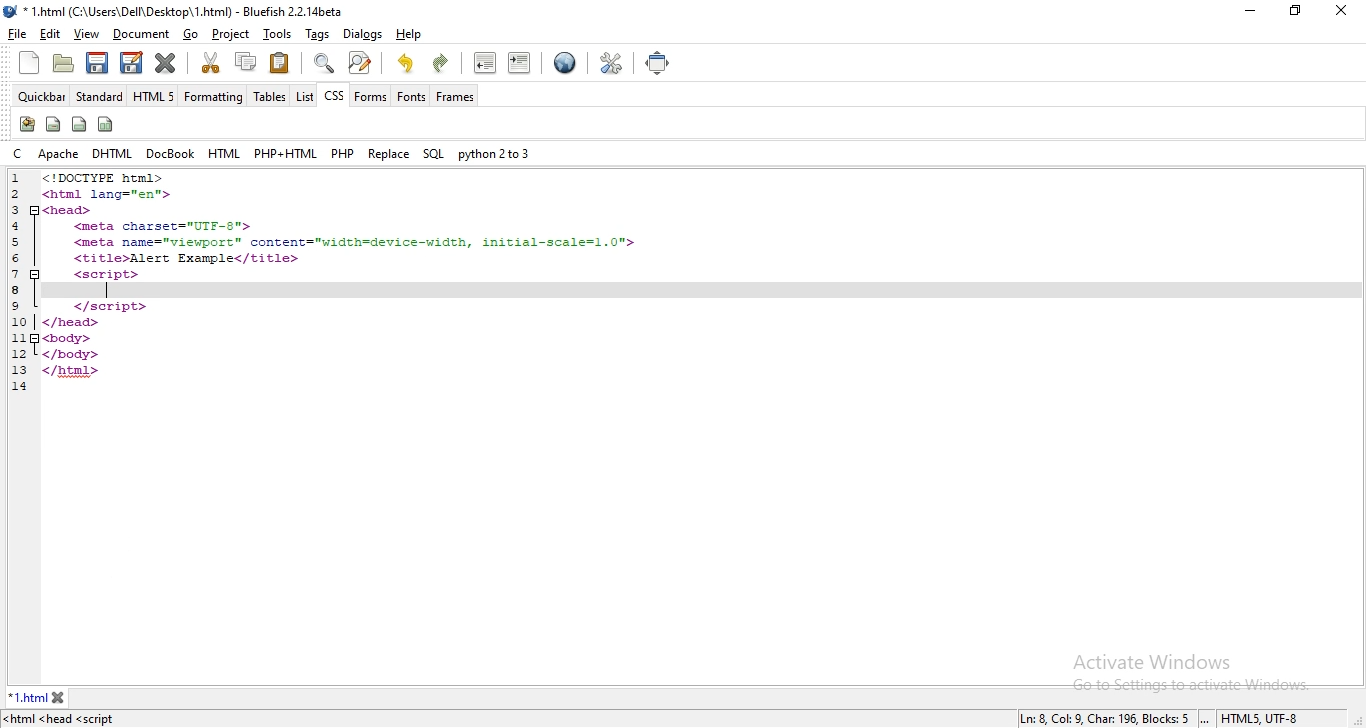  I want to click on new file, so click(29, 62).